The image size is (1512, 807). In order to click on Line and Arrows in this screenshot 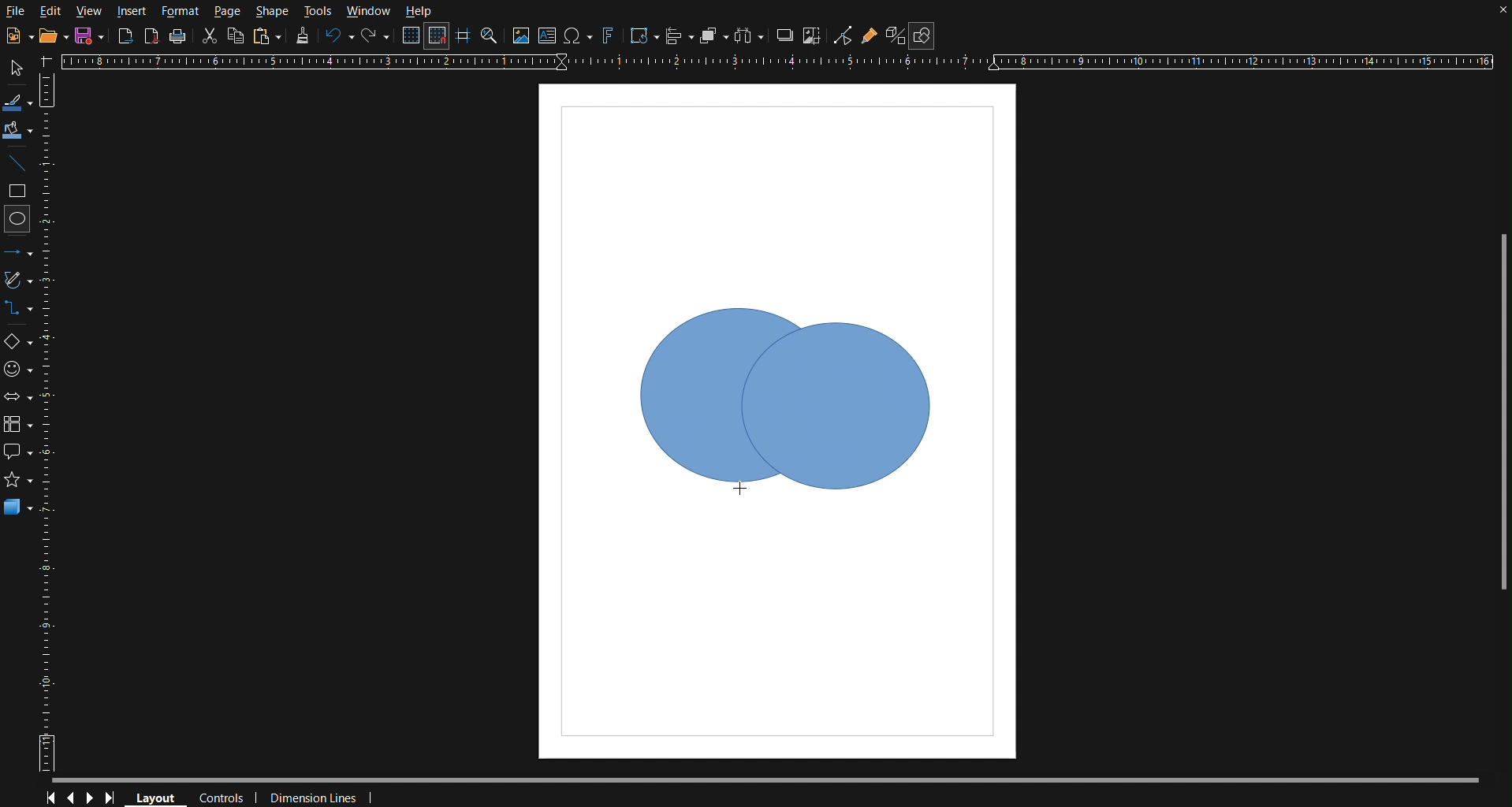, I will do `click(18, 252)`.